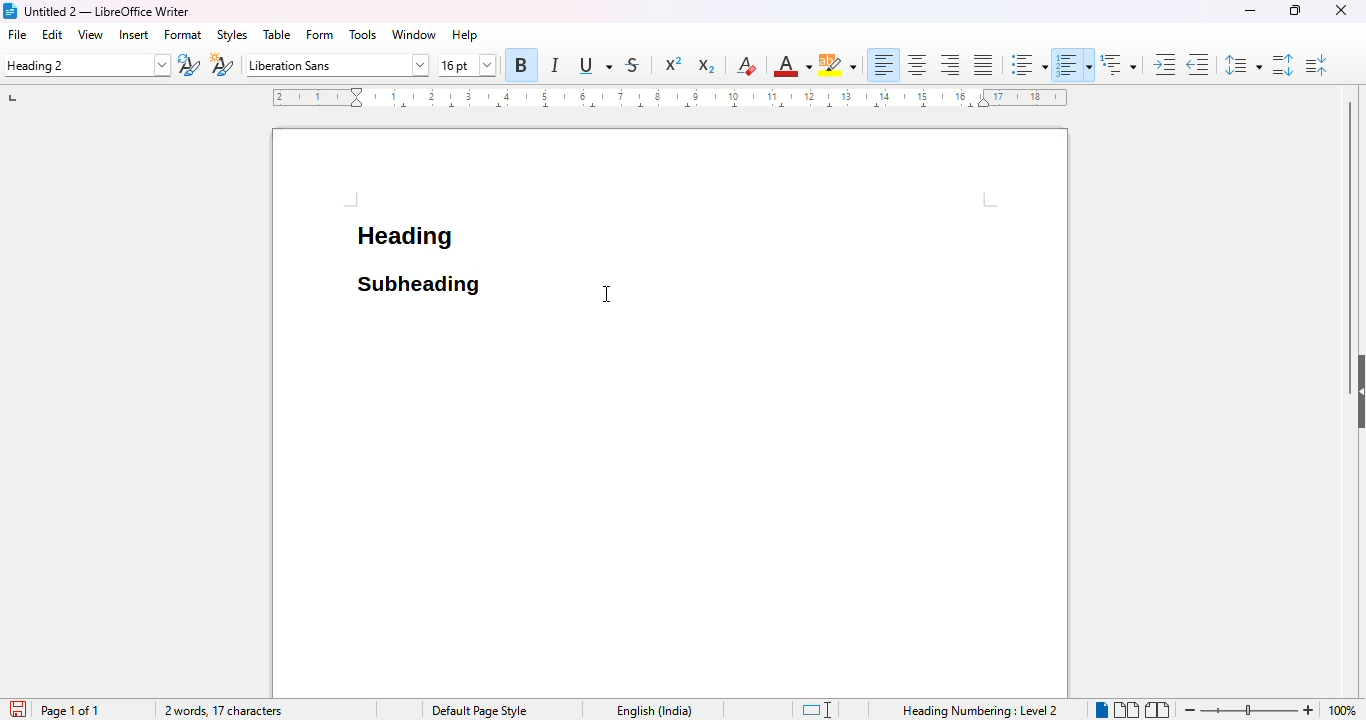  Describe the element at coordinates (363, 35) in the screenshot. I see `tools` at that location.